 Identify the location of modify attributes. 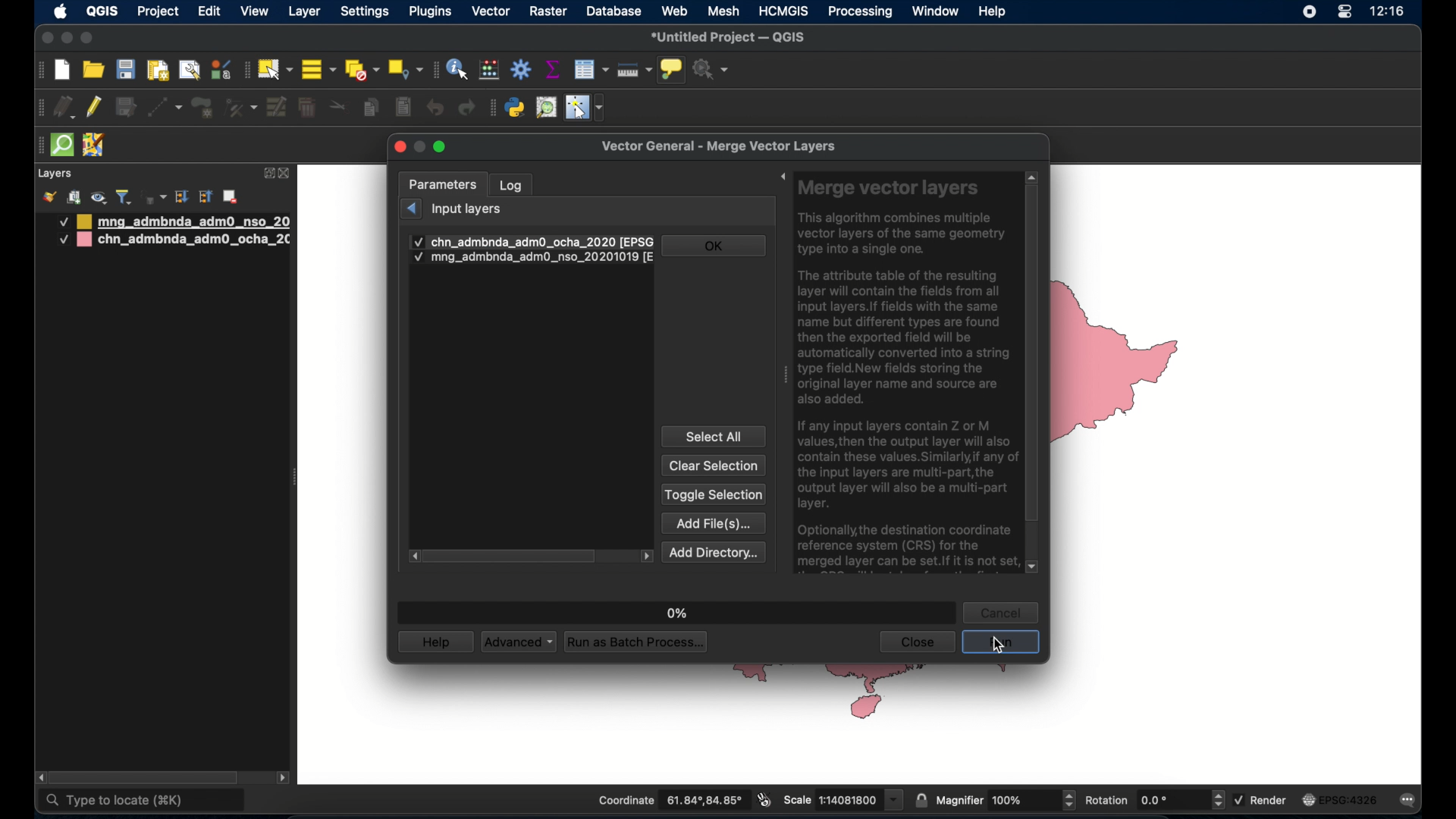
(278, 108).